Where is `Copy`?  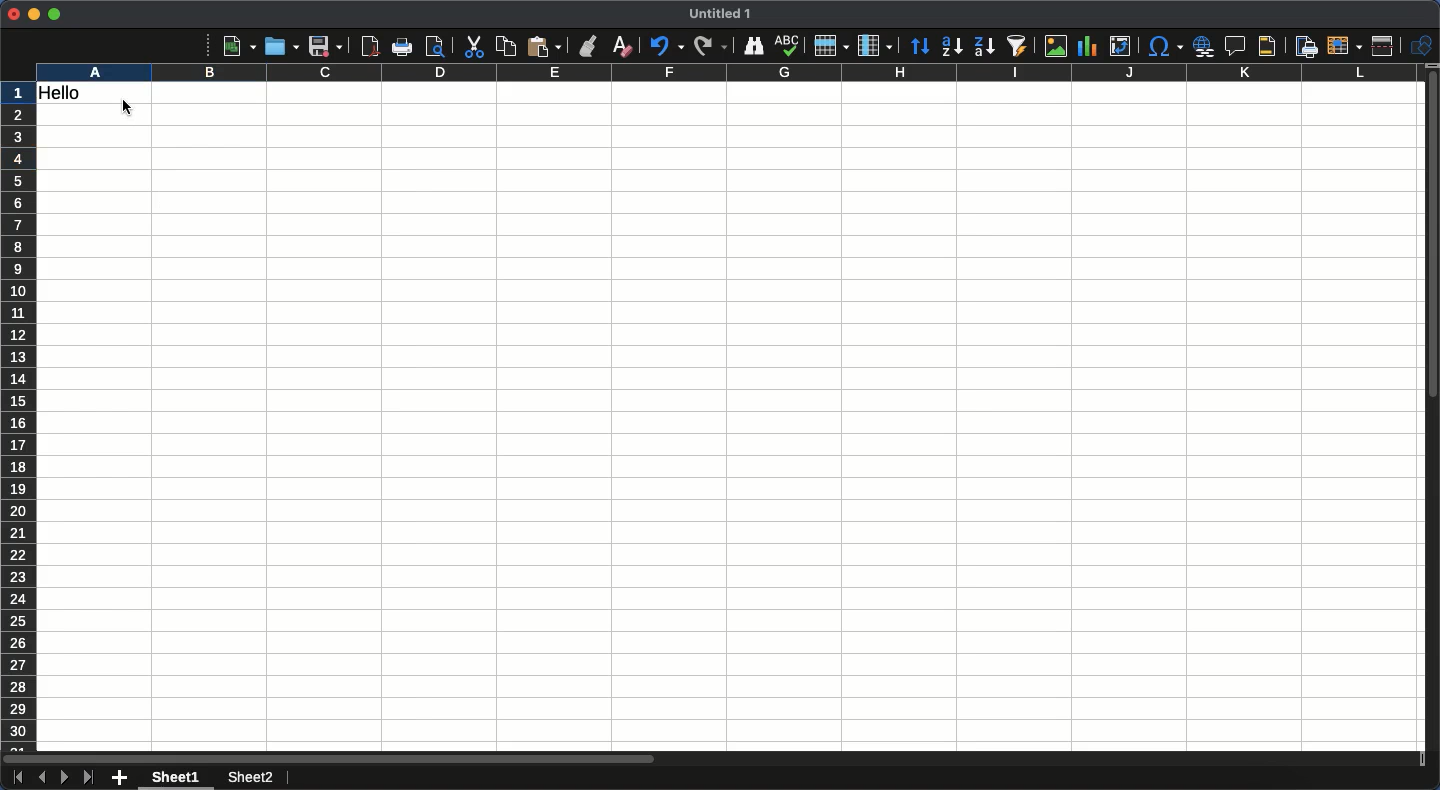
Copy is located at coordinates (506, 46).